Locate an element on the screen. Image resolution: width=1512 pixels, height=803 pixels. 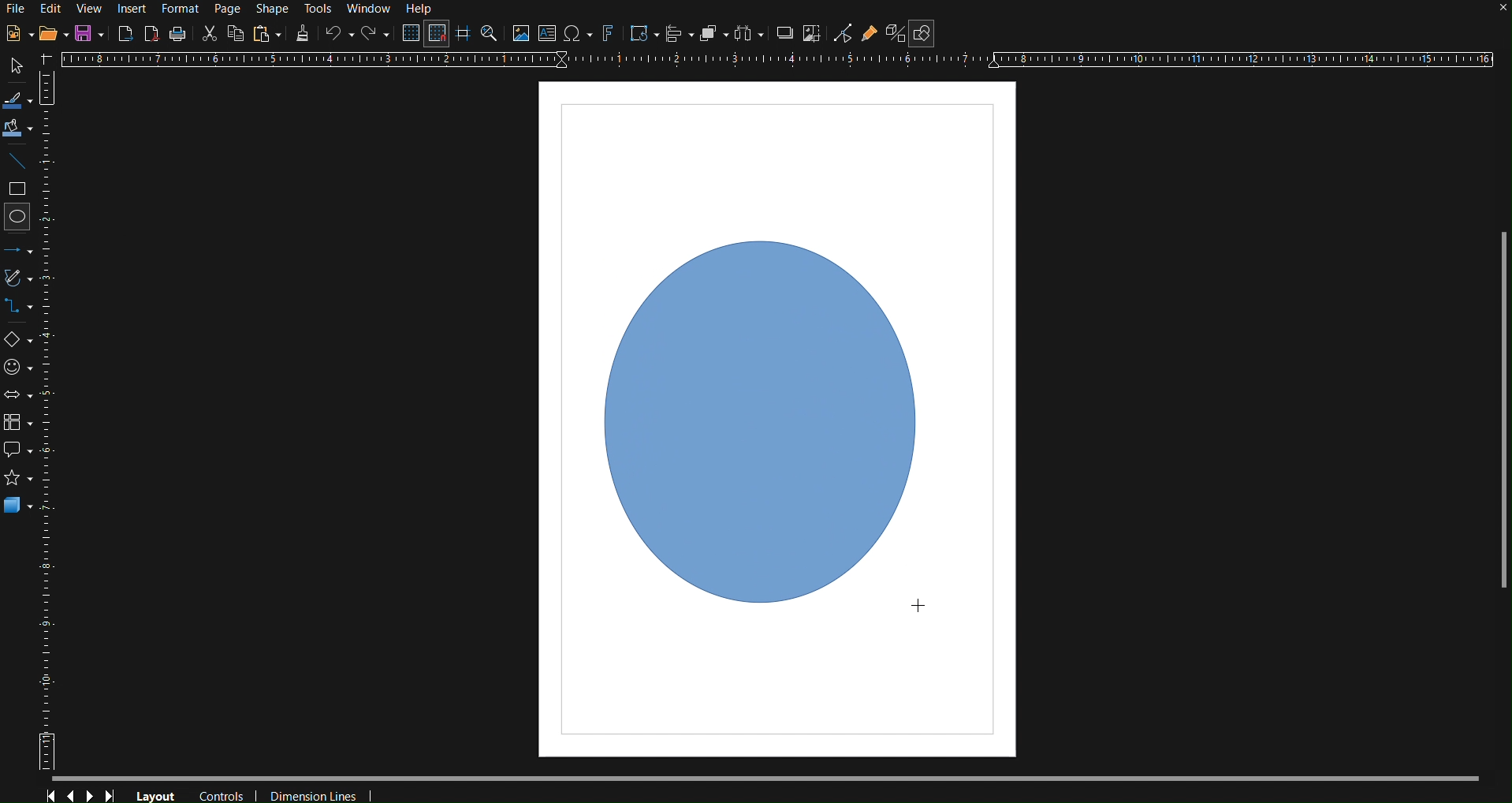
Cursor is located at coordinates (919, 606).